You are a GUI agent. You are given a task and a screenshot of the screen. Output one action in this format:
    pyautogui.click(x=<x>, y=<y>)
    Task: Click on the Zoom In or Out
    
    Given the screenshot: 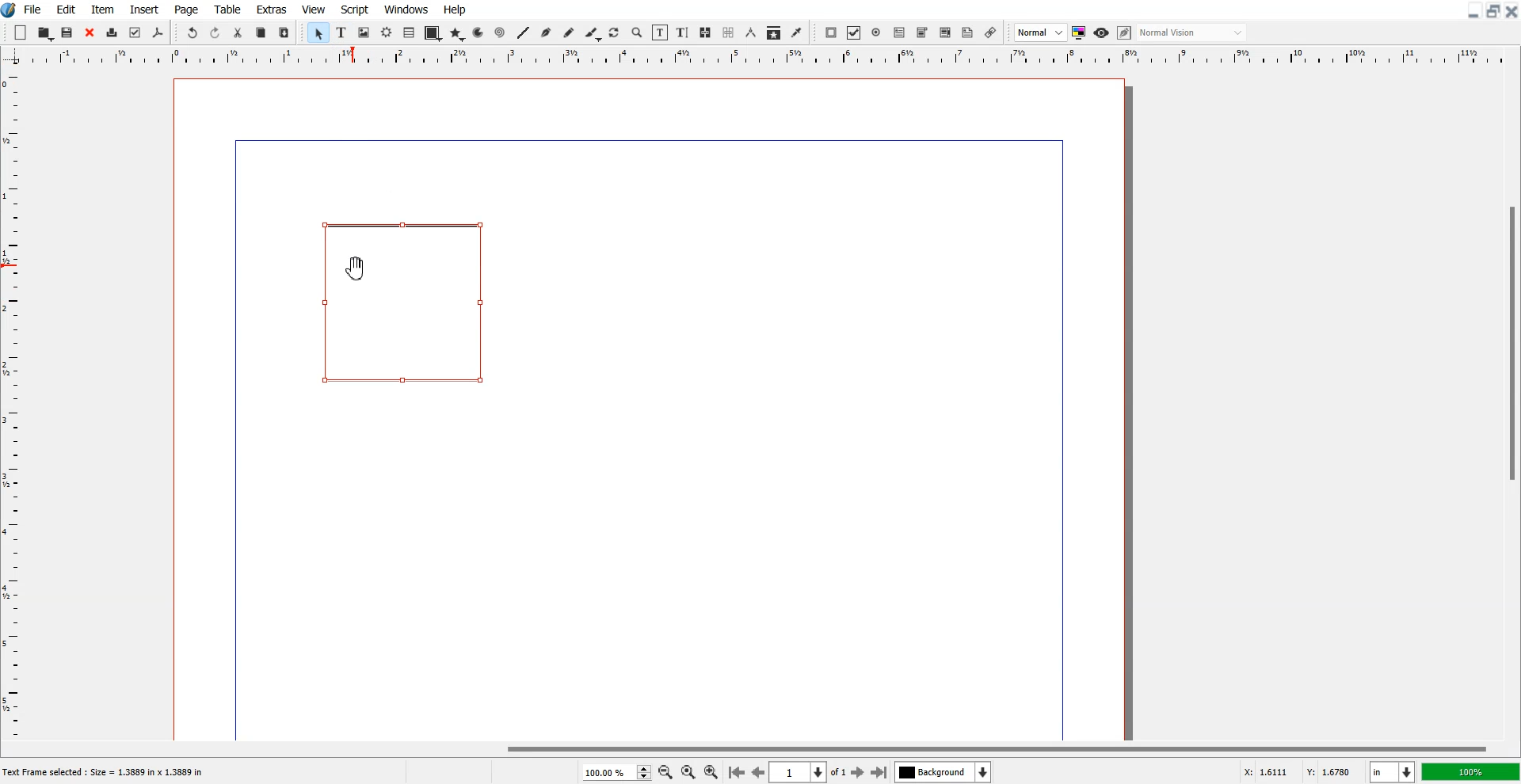 What is the action you would take?
    pyautogui.click(x=637, y=32)
    